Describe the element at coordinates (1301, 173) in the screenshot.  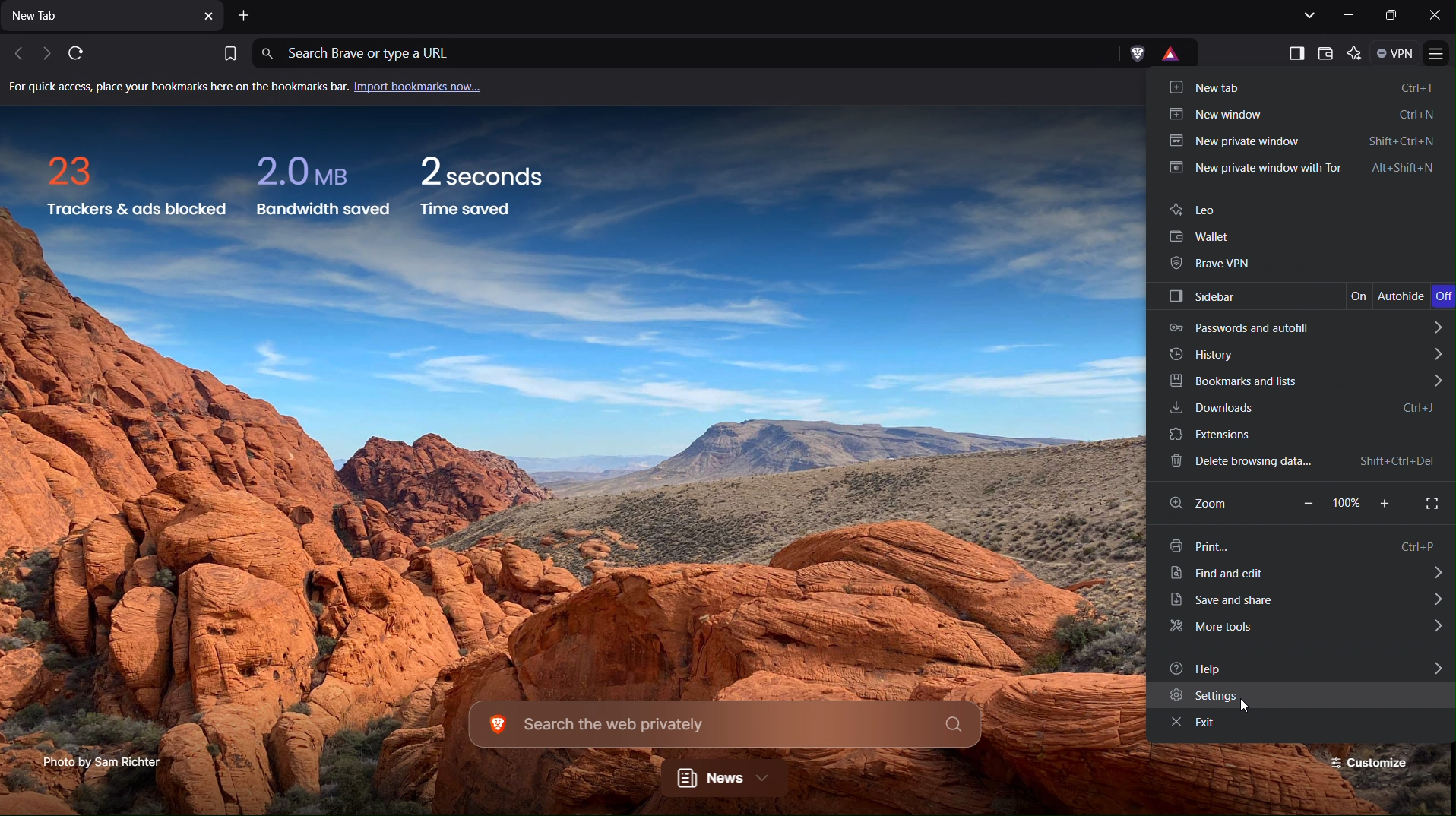
I see `New private window with Tor` at that location.